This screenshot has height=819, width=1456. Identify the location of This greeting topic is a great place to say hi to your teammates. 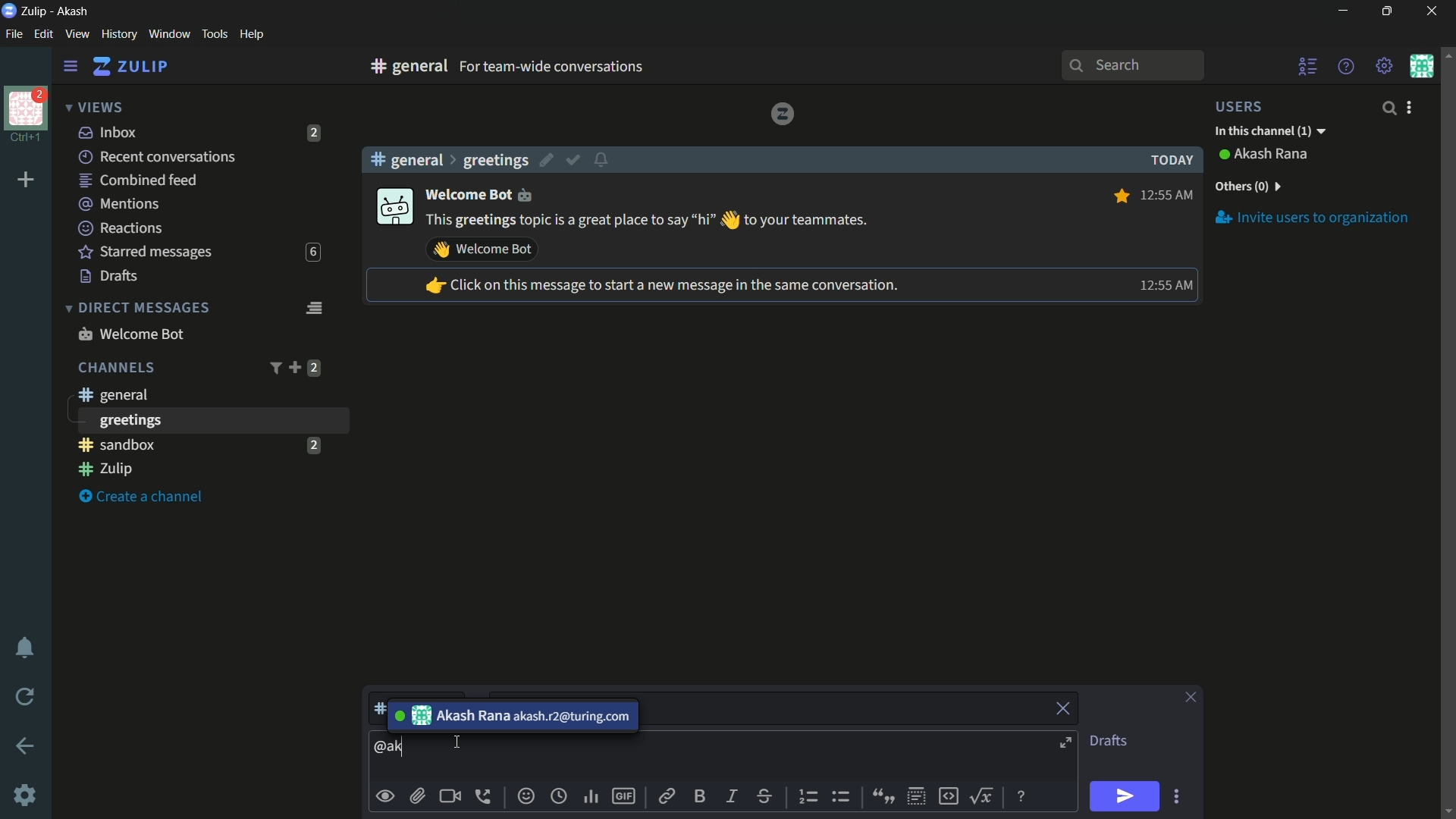
(648, 221).